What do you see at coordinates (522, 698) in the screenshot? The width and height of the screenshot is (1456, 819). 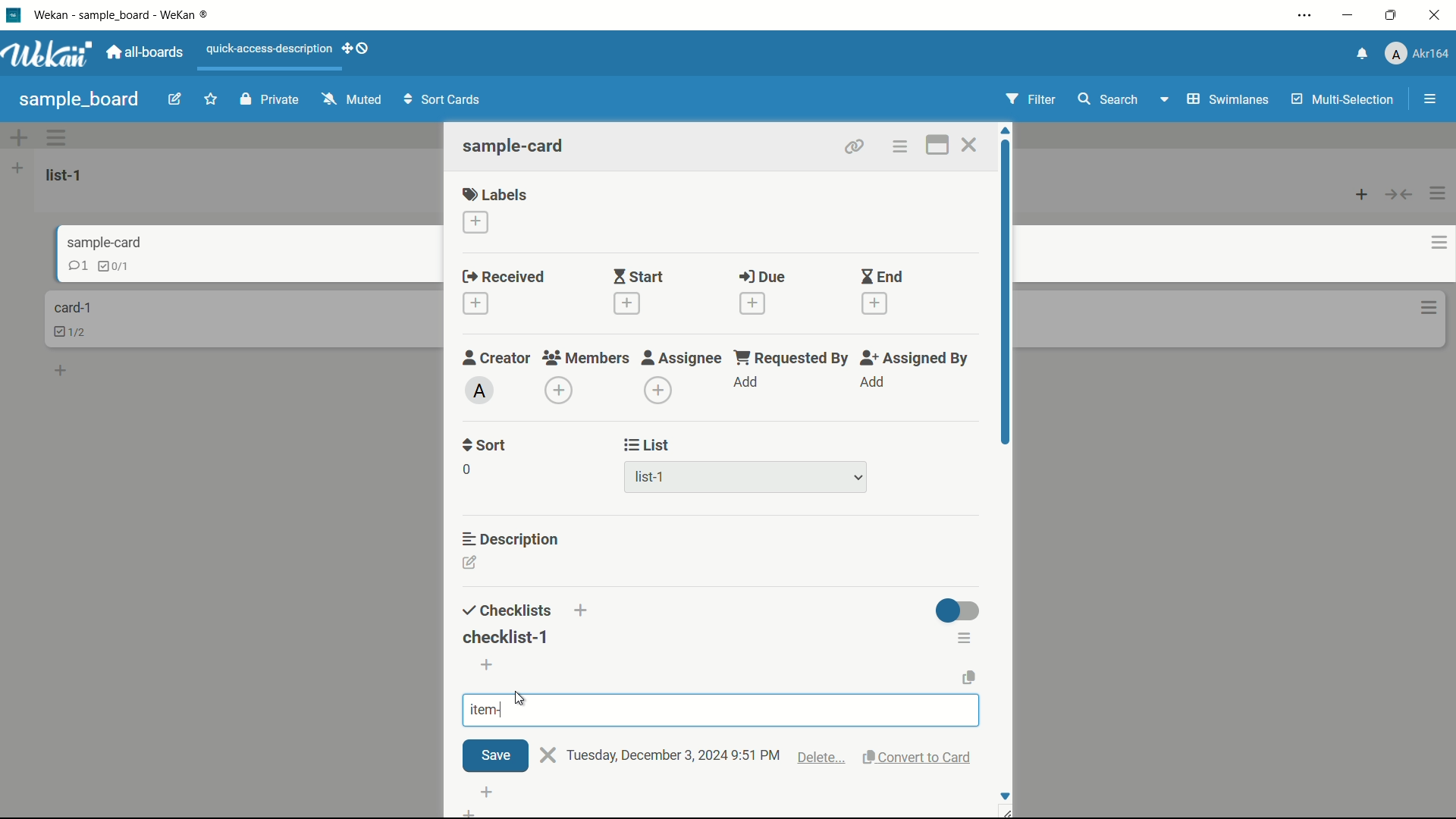 I see `cursor` at bounding box center [522, 698].